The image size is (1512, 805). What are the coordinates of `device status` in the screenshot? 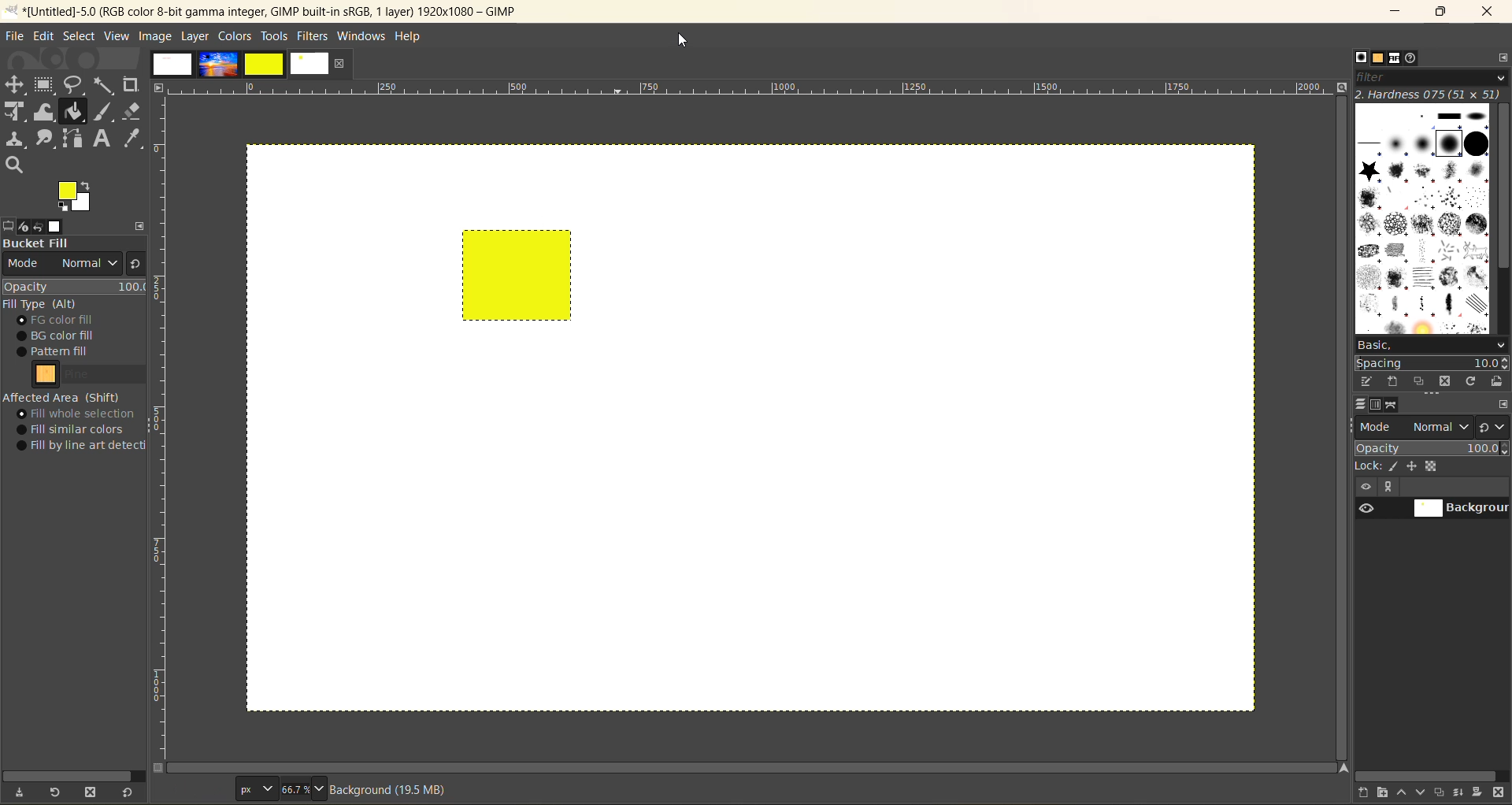 It's located at (19, 227).